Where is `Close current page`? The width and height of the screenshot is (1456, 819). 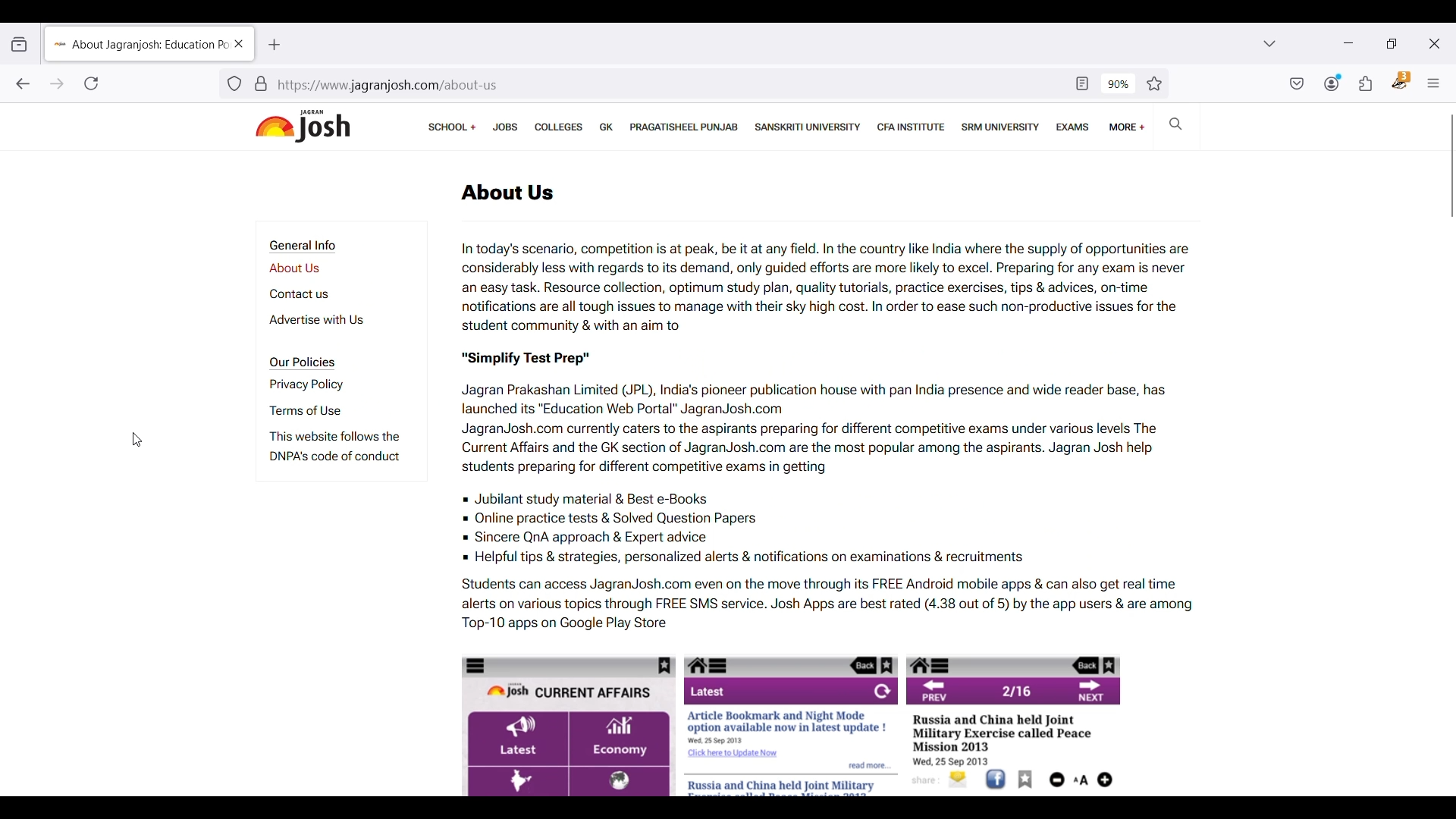 Close current page is located at coordinates (236, 43).